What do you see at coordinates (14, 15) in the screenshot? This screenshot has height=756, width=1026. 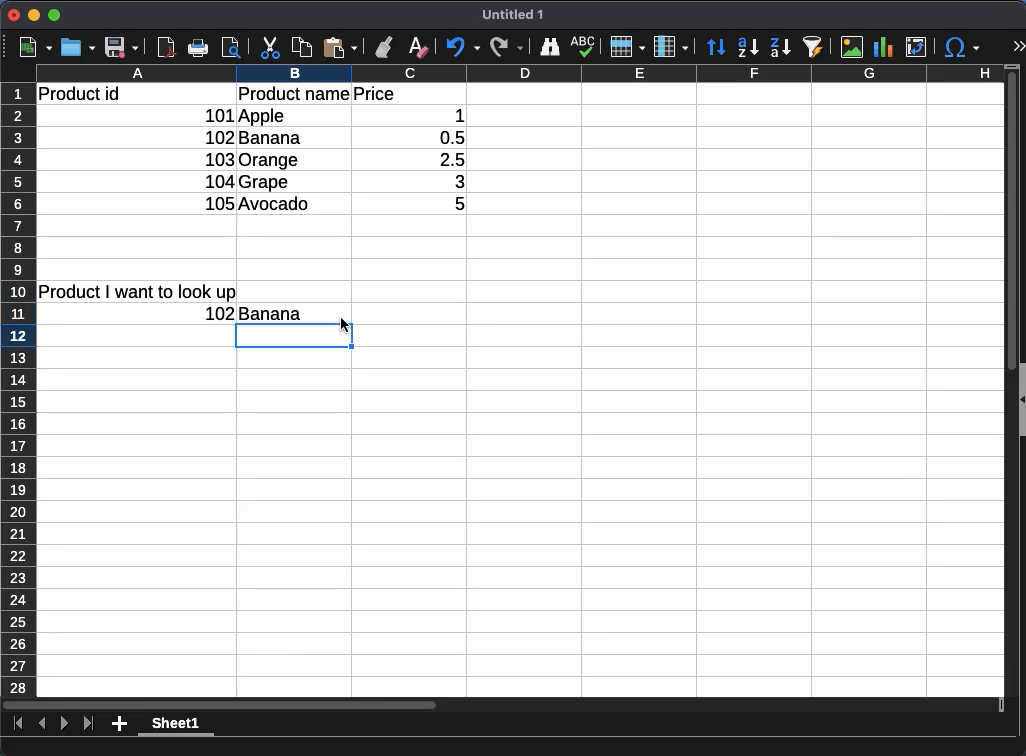 I see `close` at bounding box center [14, 15].